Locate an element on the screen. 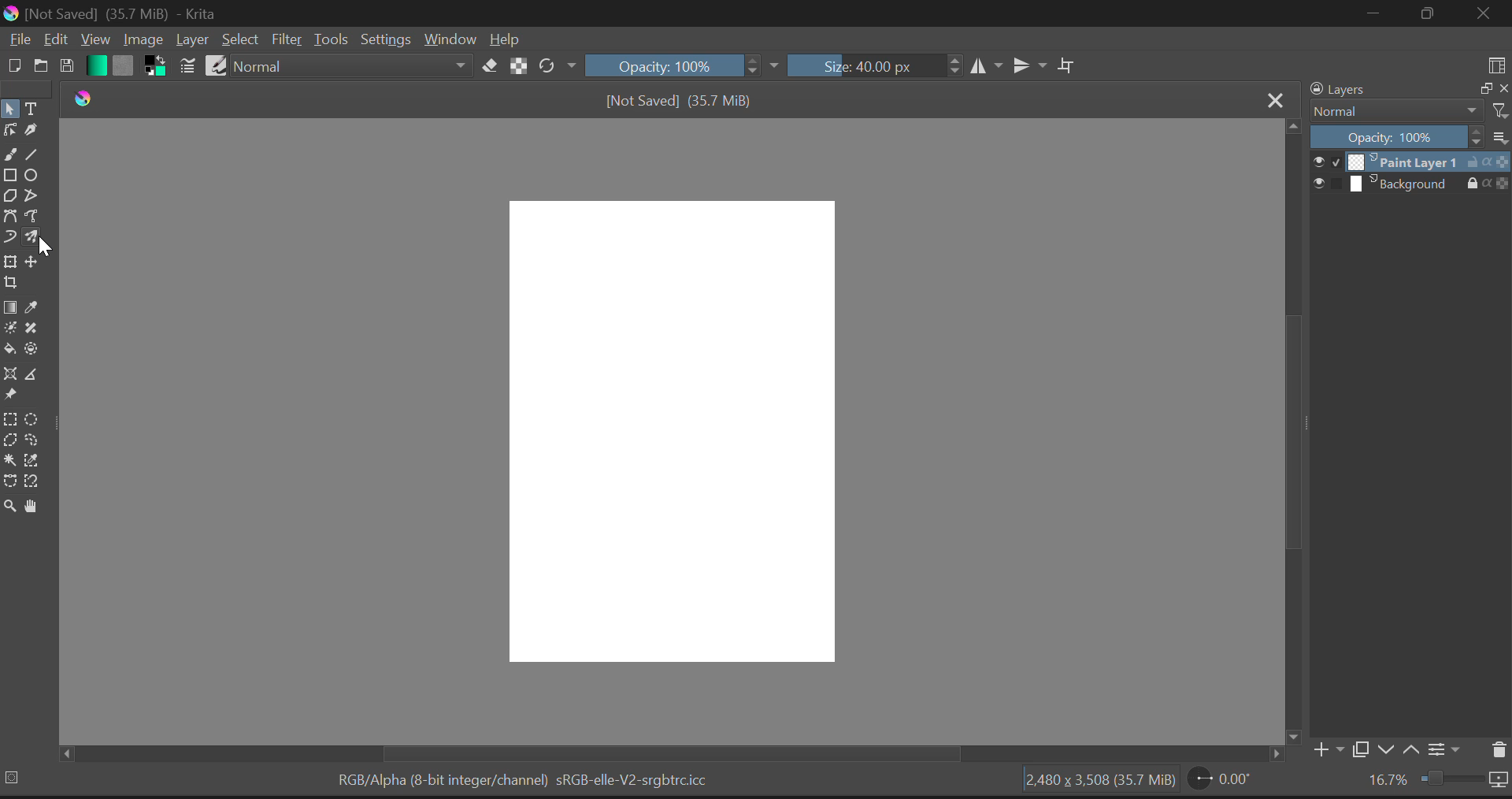  Eyedropper is located at coordinates (39, 304).